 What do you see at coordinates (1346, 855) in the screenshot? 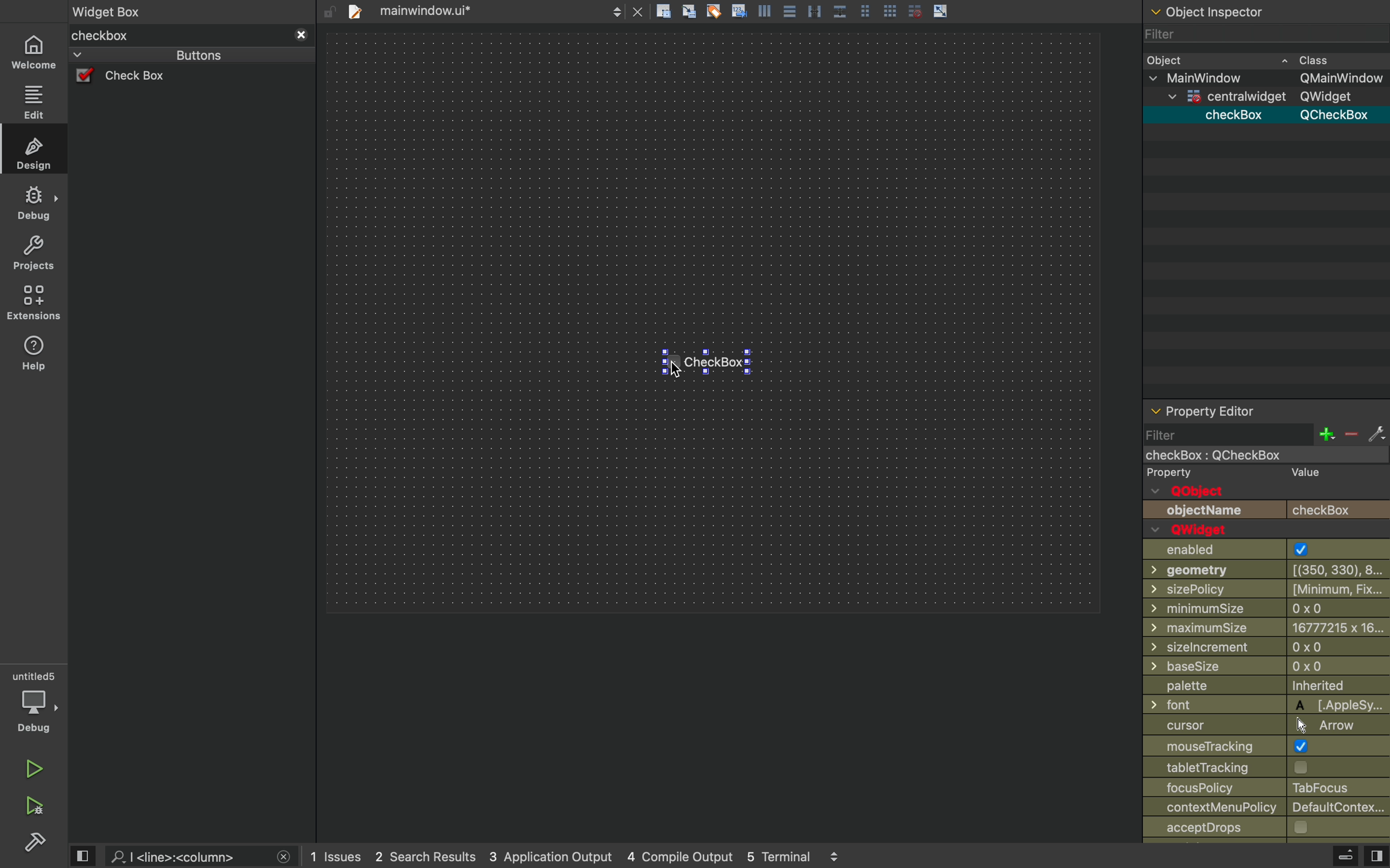
I see `extrude` at bounding box center [1346, 855].